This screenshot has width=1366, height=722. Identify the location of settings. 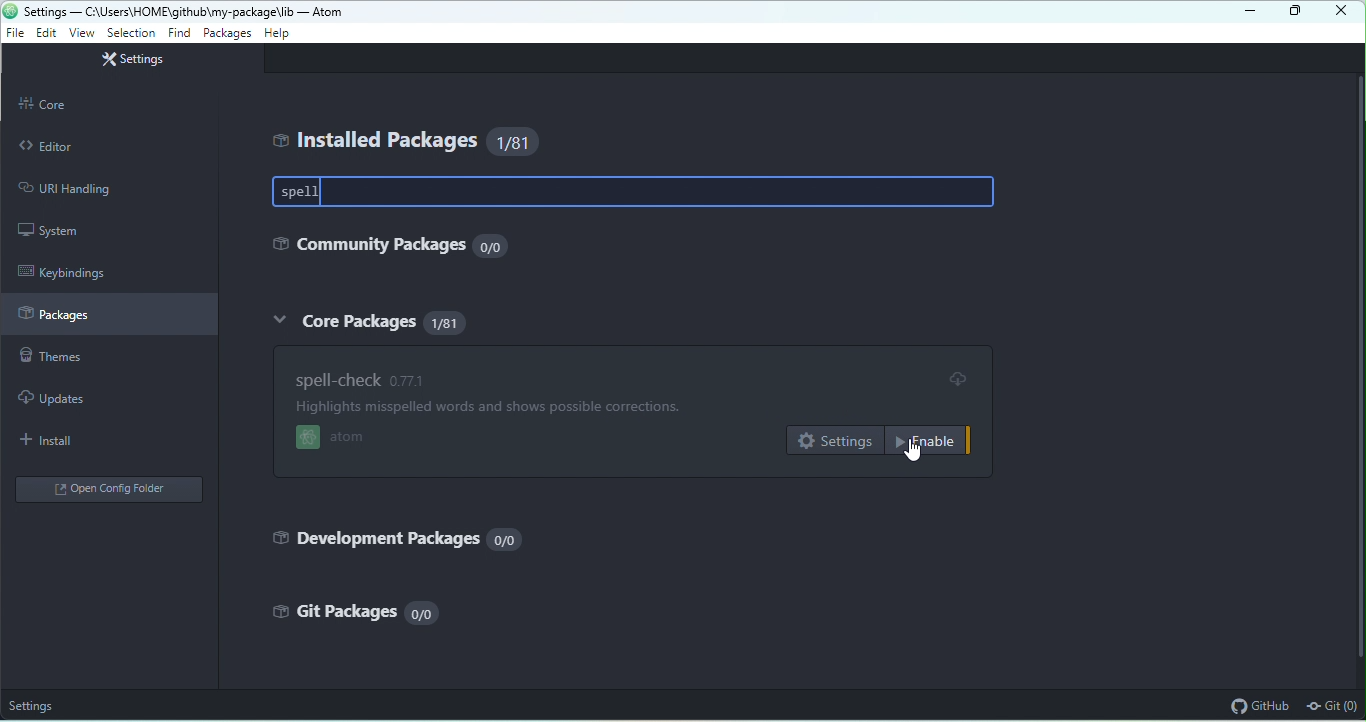
(35, 705).